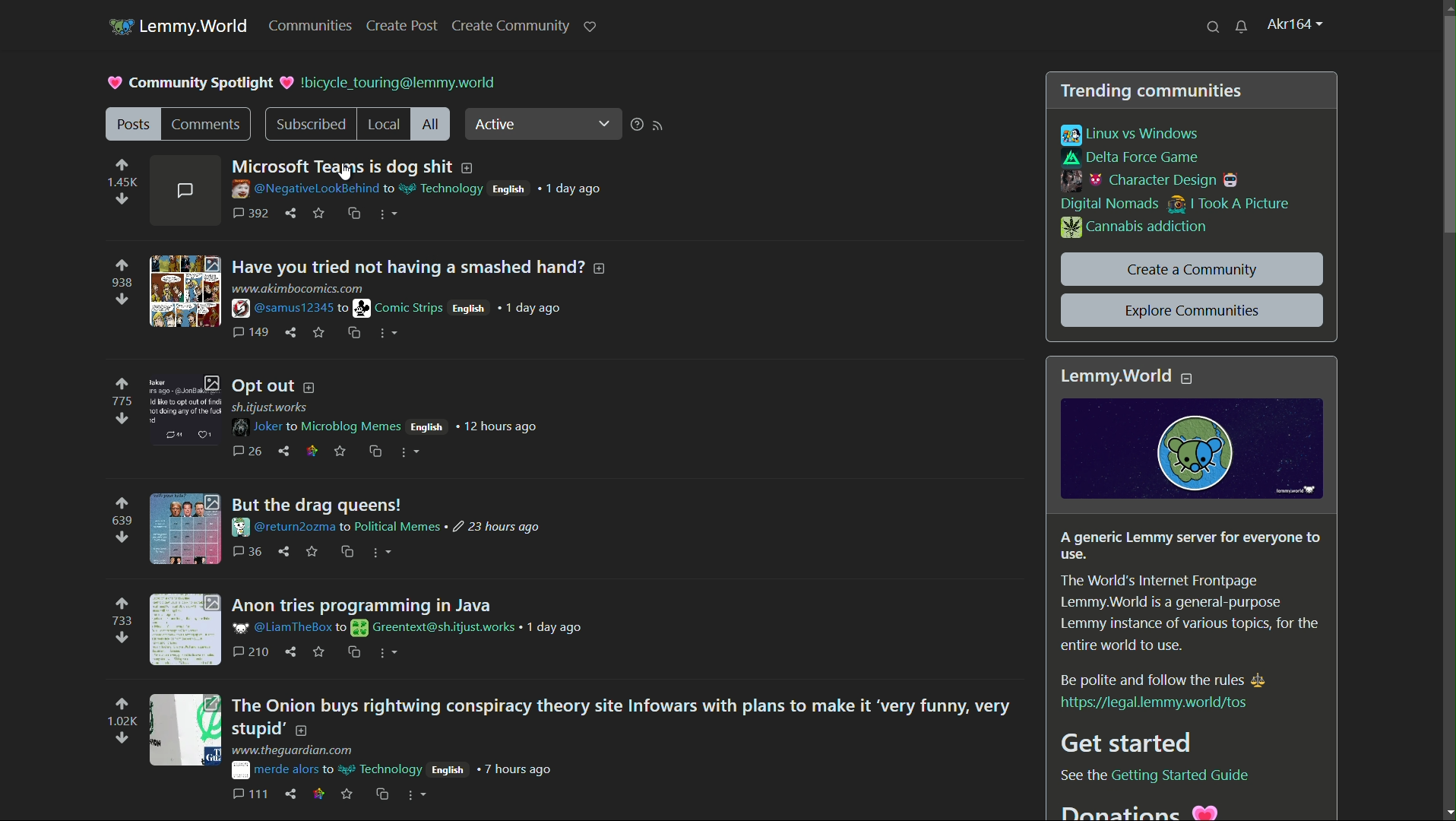  Describe the element at coordinates (285, 552) in the screenshot. I see `share` at that location.